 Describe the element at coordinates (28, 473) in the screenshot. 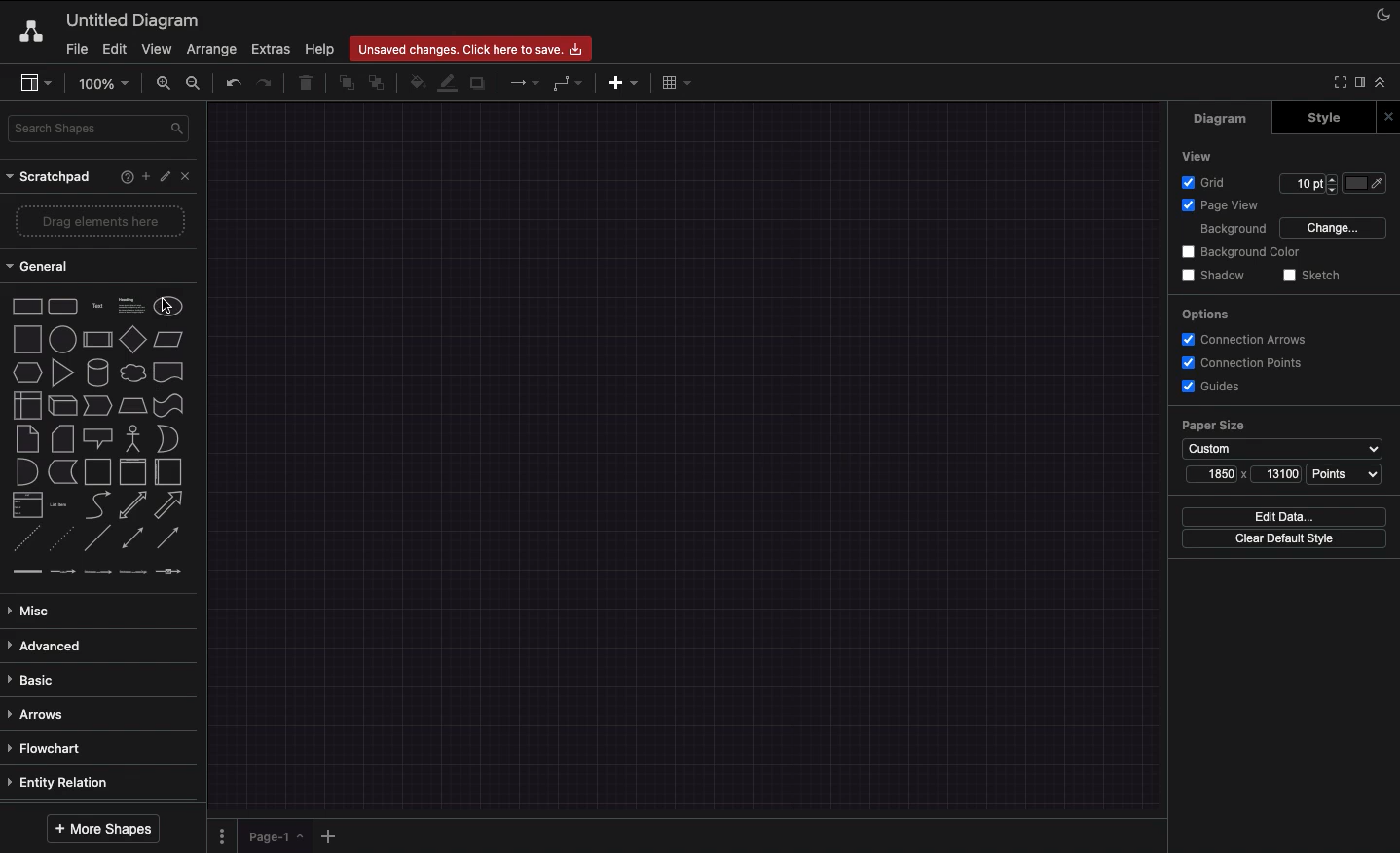

I see `And` at that location.